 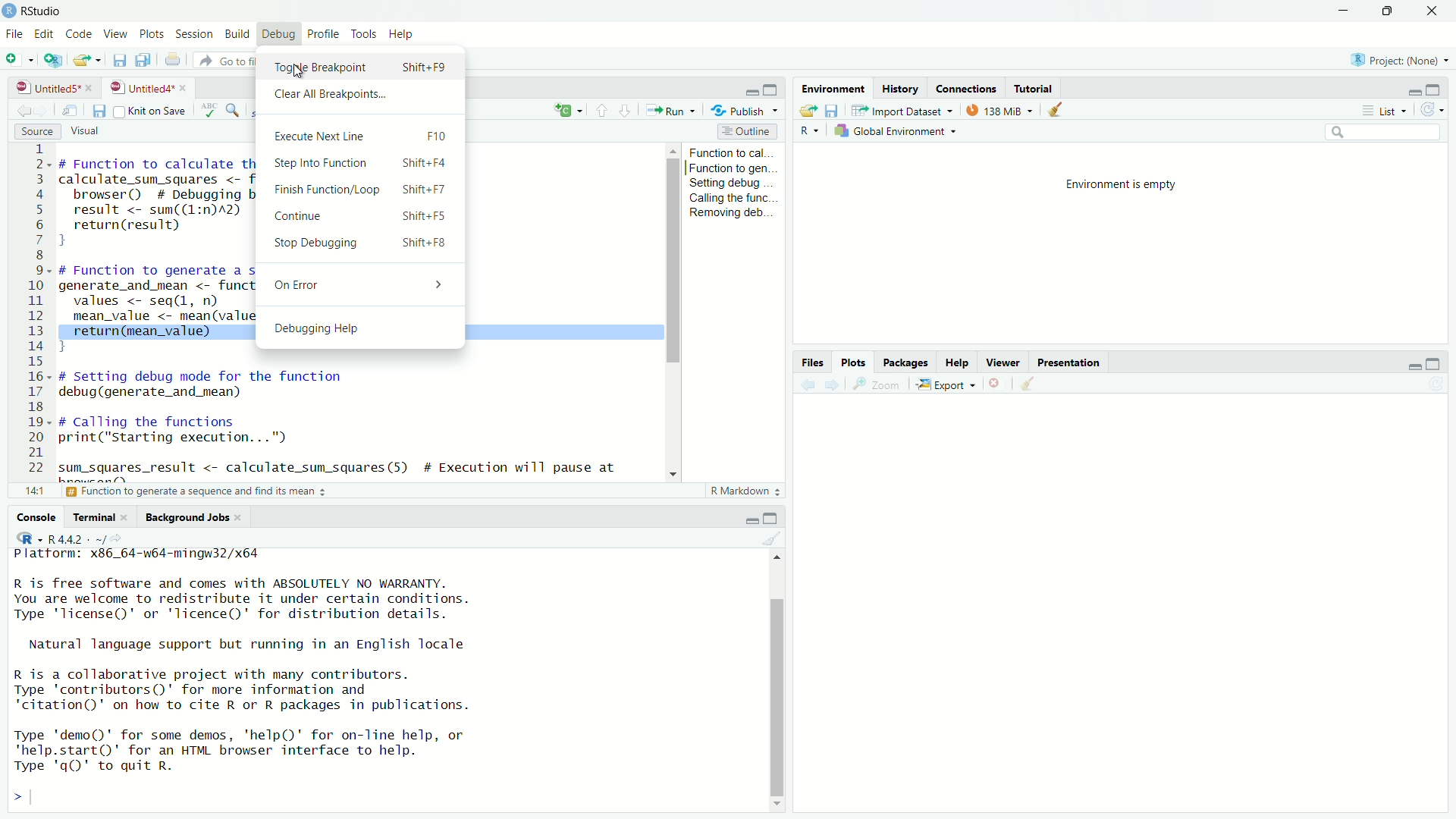 What do you see at coordinates (45, 108) in the screenshot?
I see `go forward to the next source location` at bounding box center [45, 108].